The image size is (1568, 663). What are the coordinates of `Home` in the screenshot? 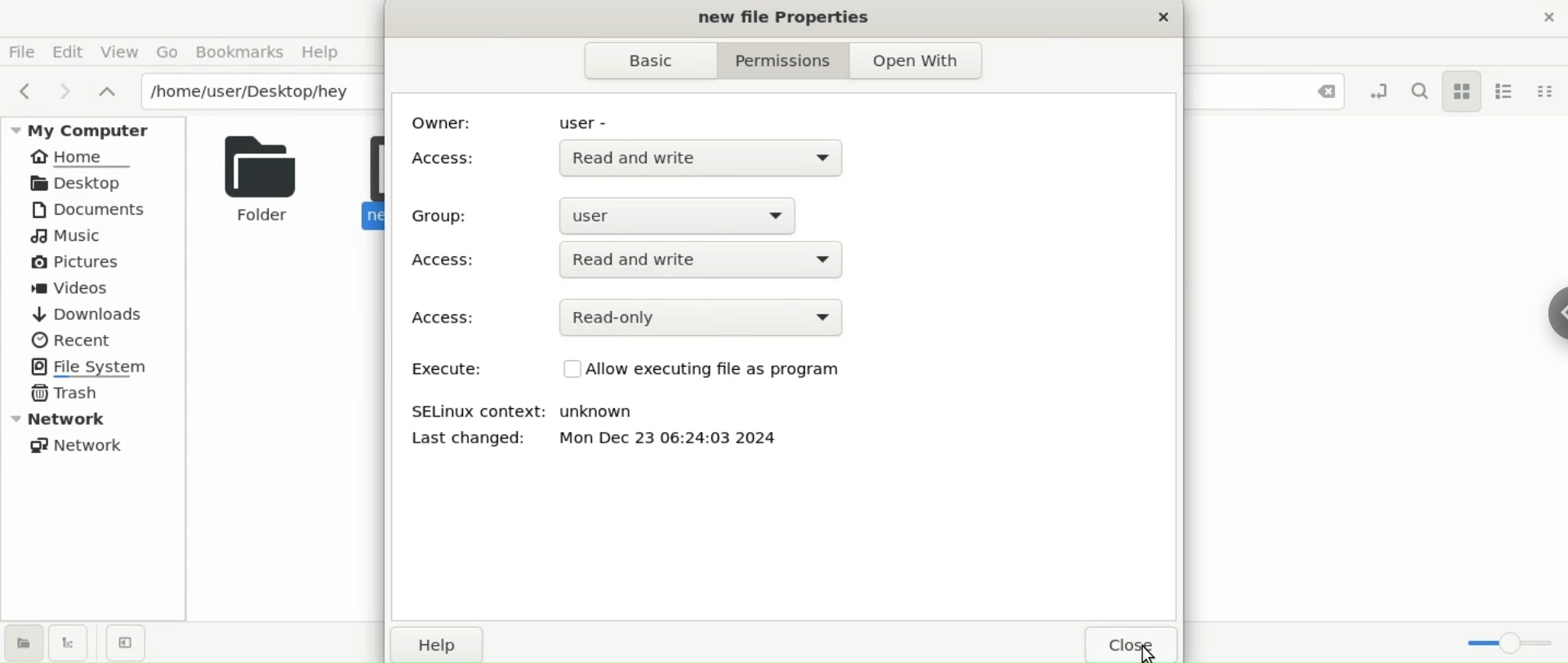 It's located at (83, 158).